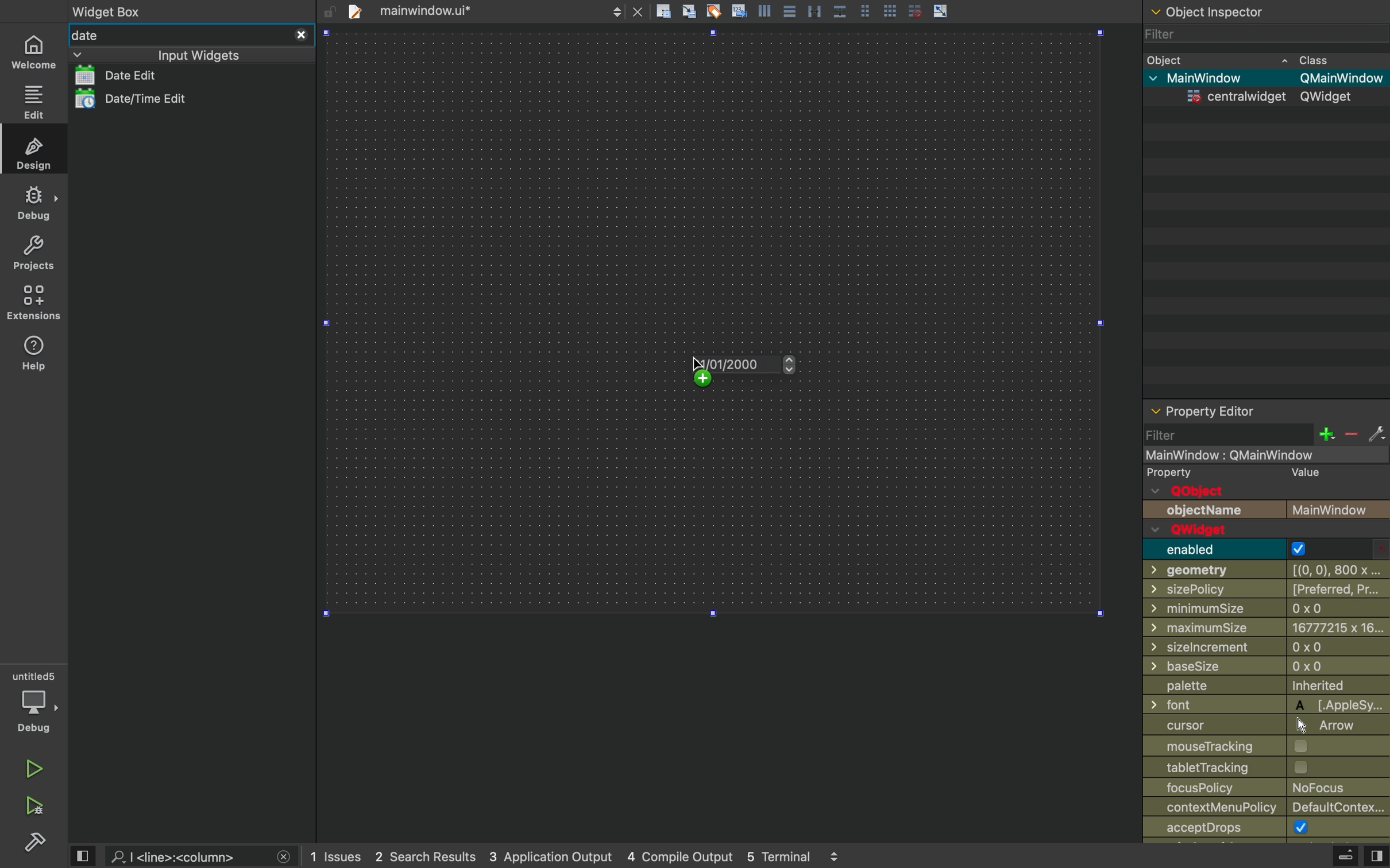 This screenshot has height=868, width=1390. Describe the element at coordinates (155, 99) in the screenshot. I see `date/time edit` at that location.